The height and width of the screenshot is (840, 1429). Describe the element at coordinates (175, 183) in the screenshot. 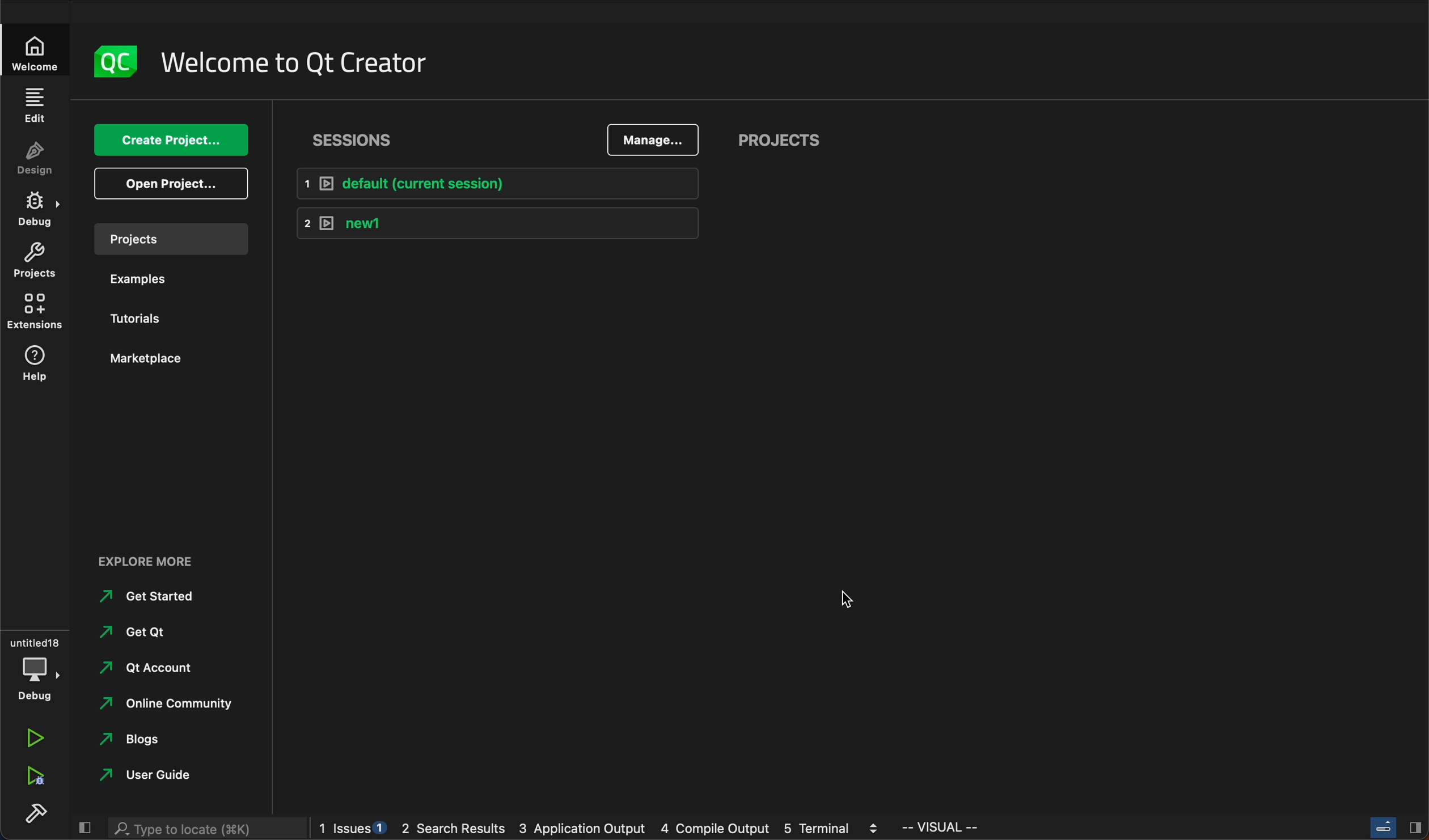

I see `open projects` at that location.